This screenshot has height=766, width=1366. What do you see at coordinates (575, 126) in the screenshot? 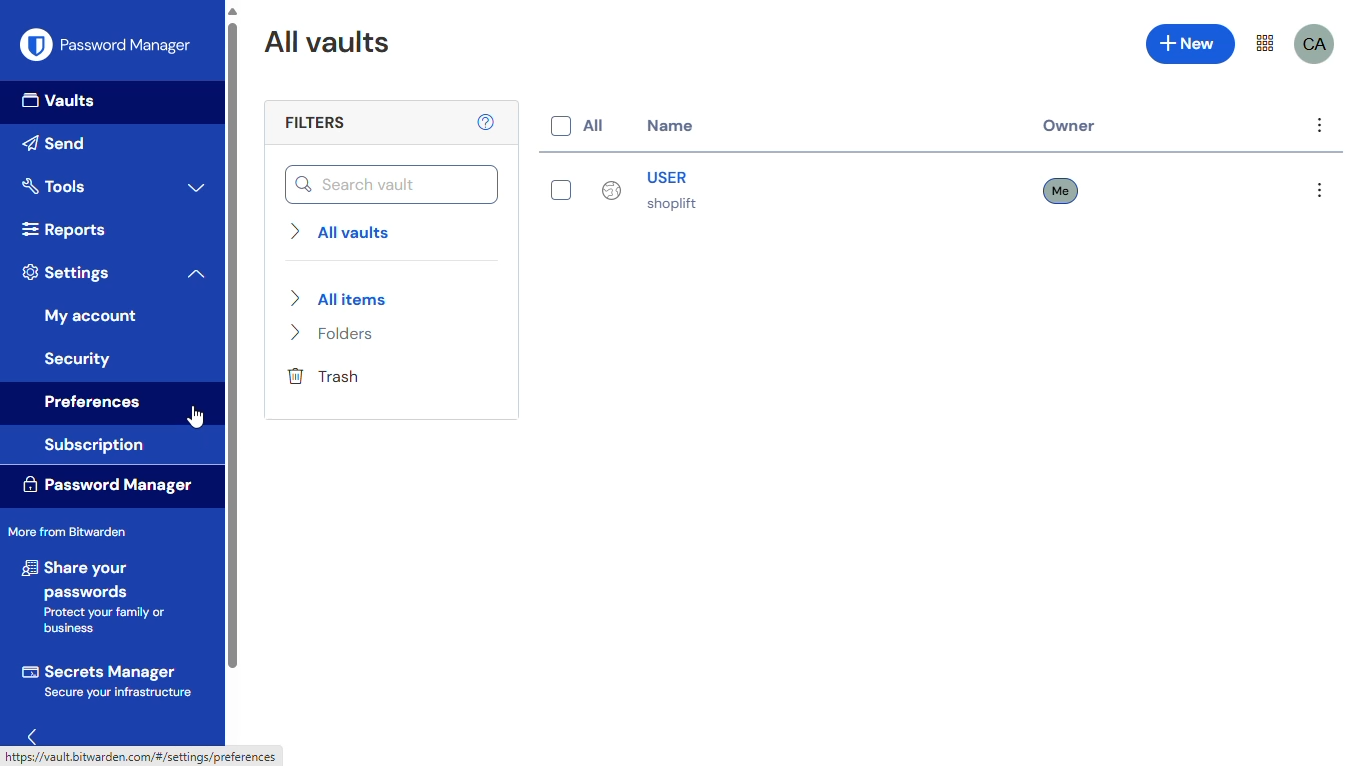
I see `All` at bounding box center [575, 126].